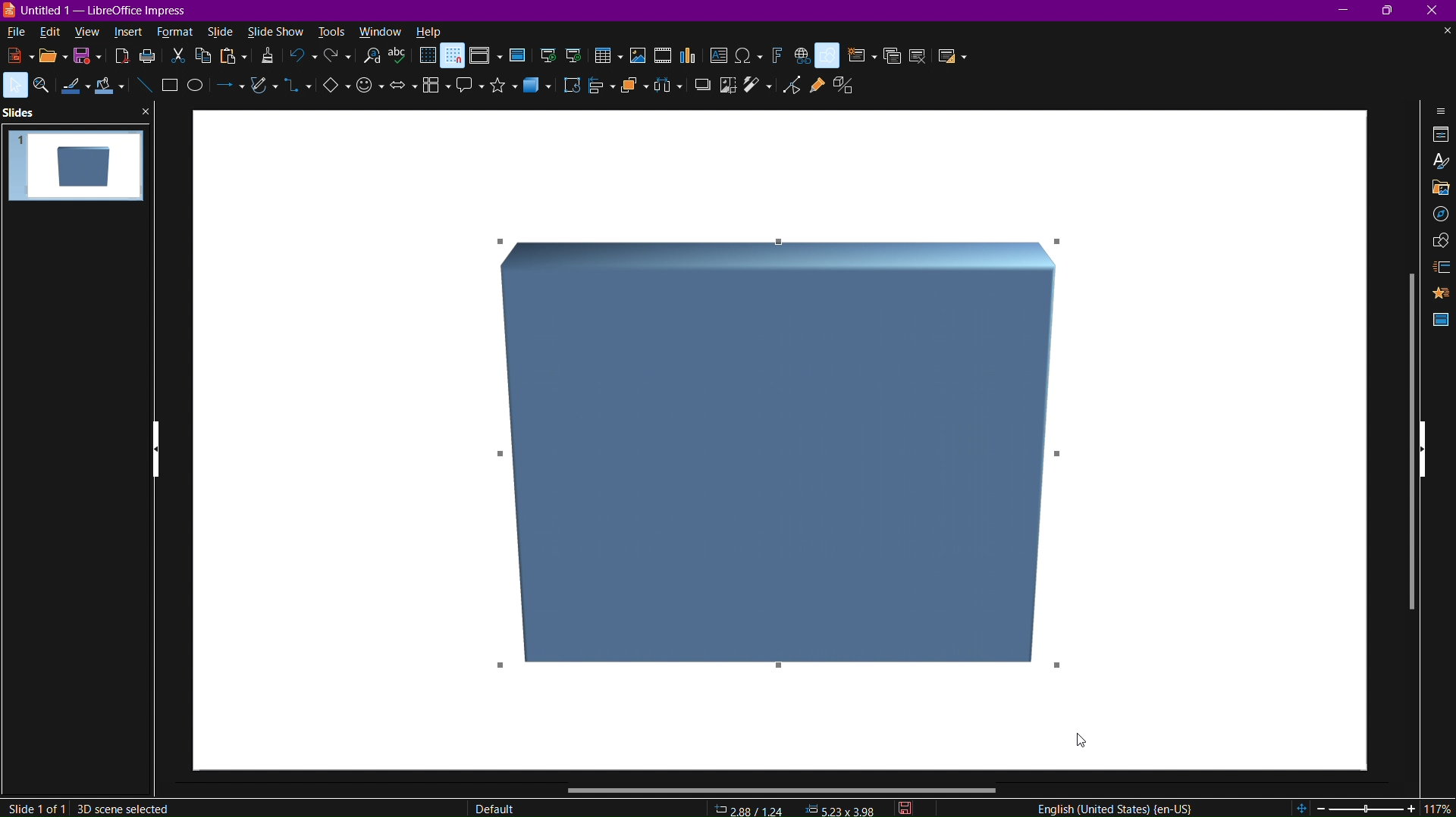  I want to click on close pane, so click(145, 112).